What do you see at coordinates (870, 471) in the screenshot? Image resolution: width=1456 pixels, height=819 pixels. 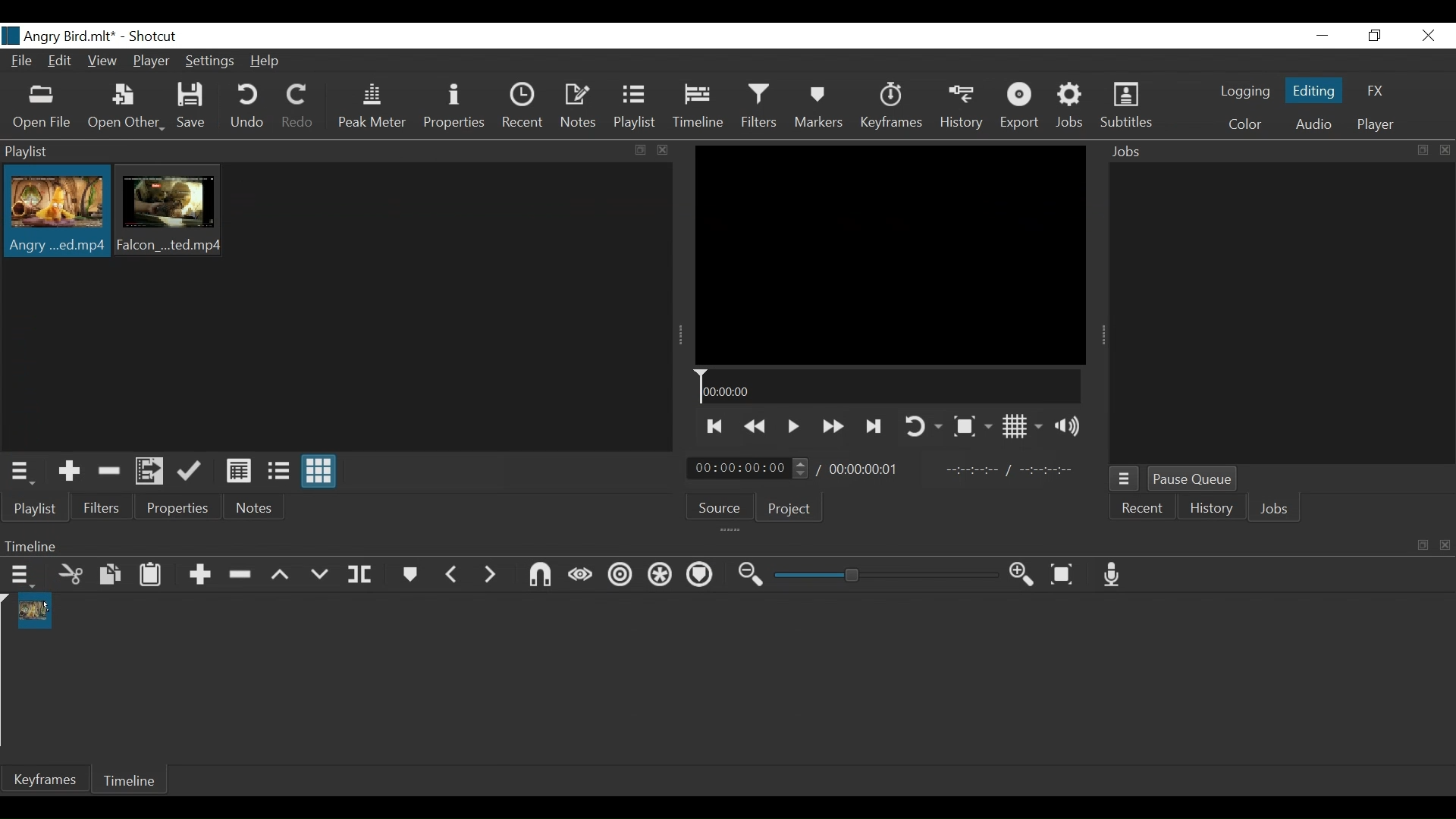 I see `Total Duration` at bounding box center [870, 471].